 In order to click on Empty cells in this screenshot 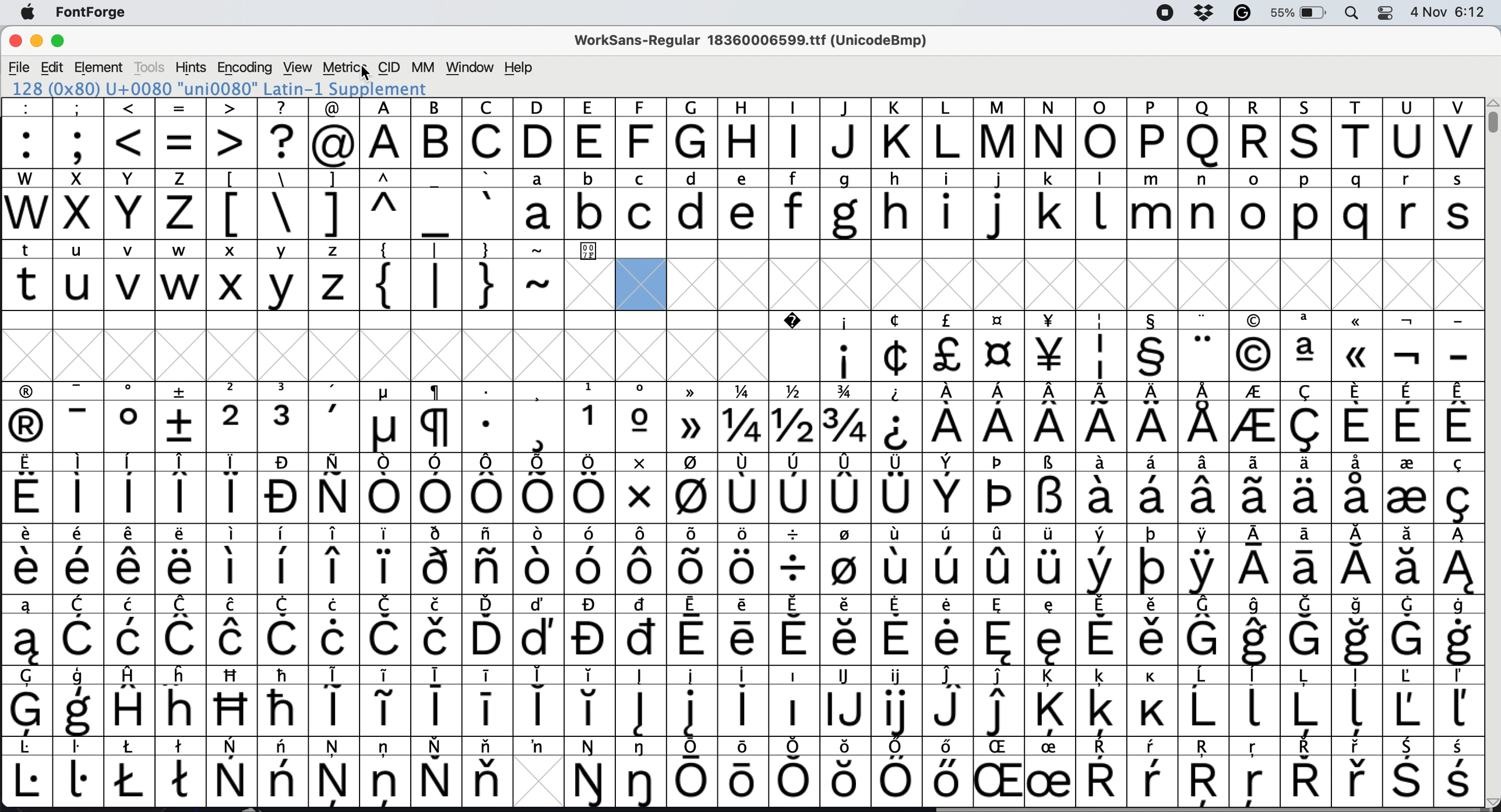, I will do `click(378, 345)`.